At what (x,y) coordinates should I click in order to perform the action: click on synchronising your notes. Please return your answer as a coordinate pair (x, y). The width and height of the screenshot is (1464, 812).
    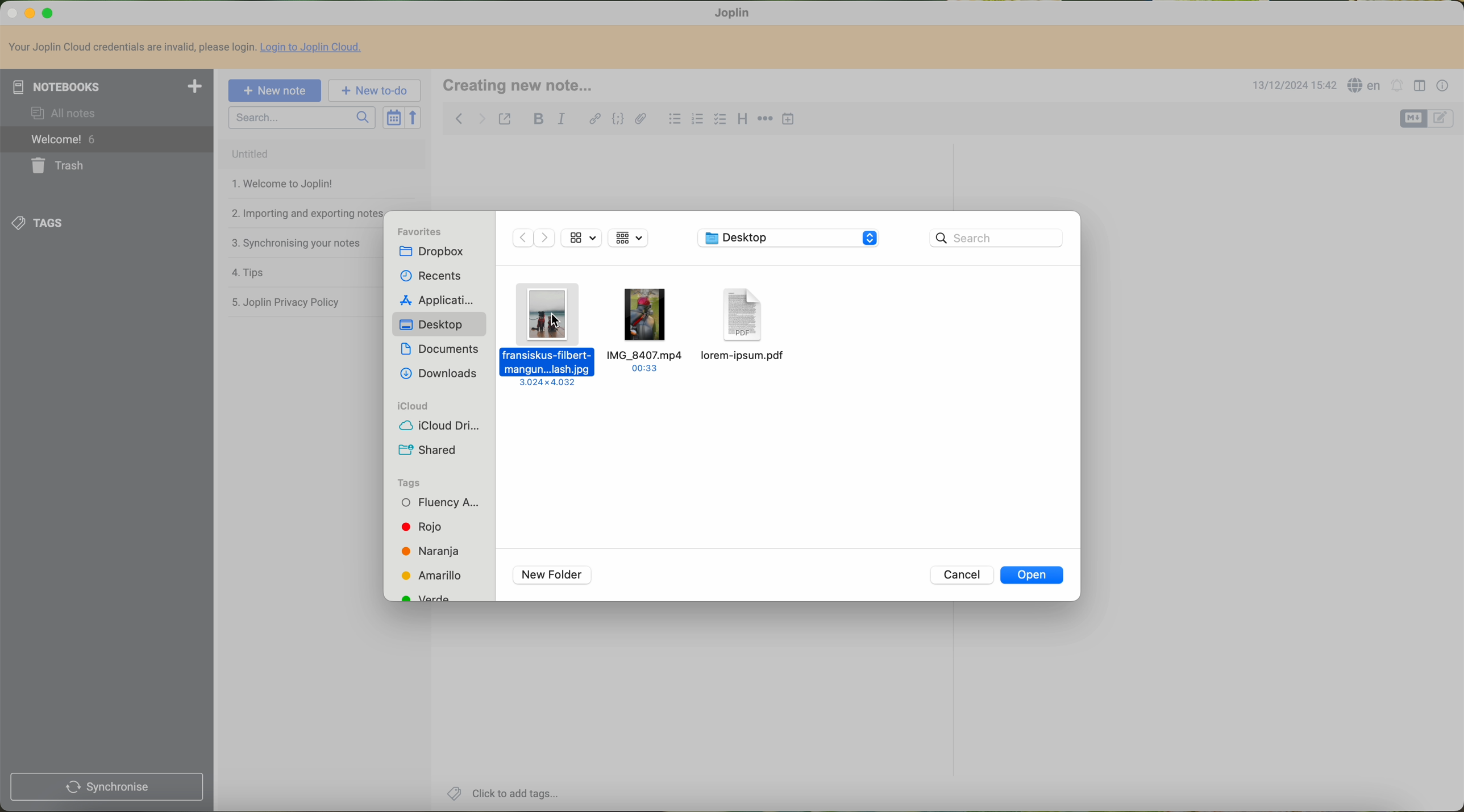
    Looking at the image, I should click on (296, 244).